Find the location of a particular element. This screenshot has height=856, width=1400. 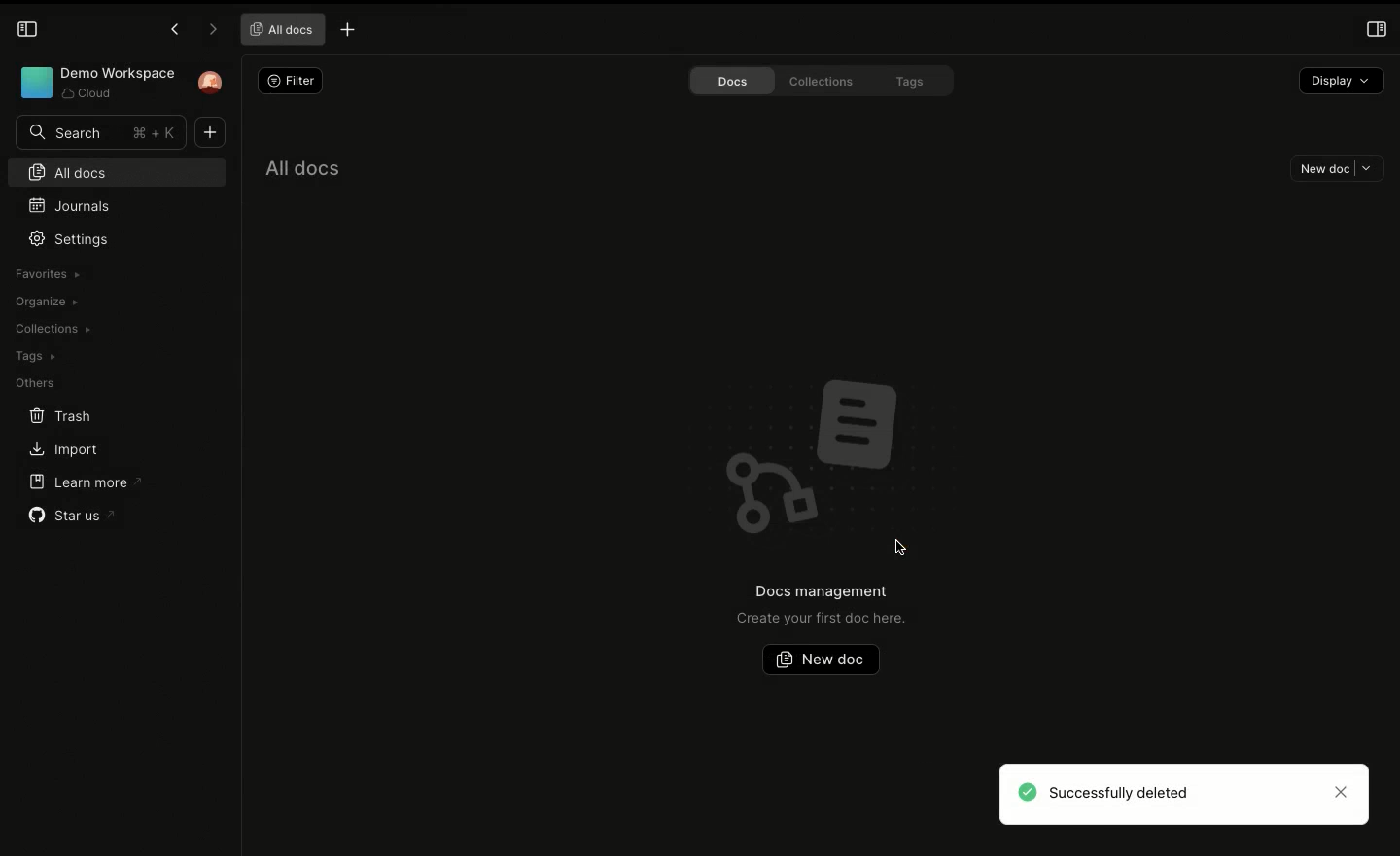

User is located at coordinates (209, 87).